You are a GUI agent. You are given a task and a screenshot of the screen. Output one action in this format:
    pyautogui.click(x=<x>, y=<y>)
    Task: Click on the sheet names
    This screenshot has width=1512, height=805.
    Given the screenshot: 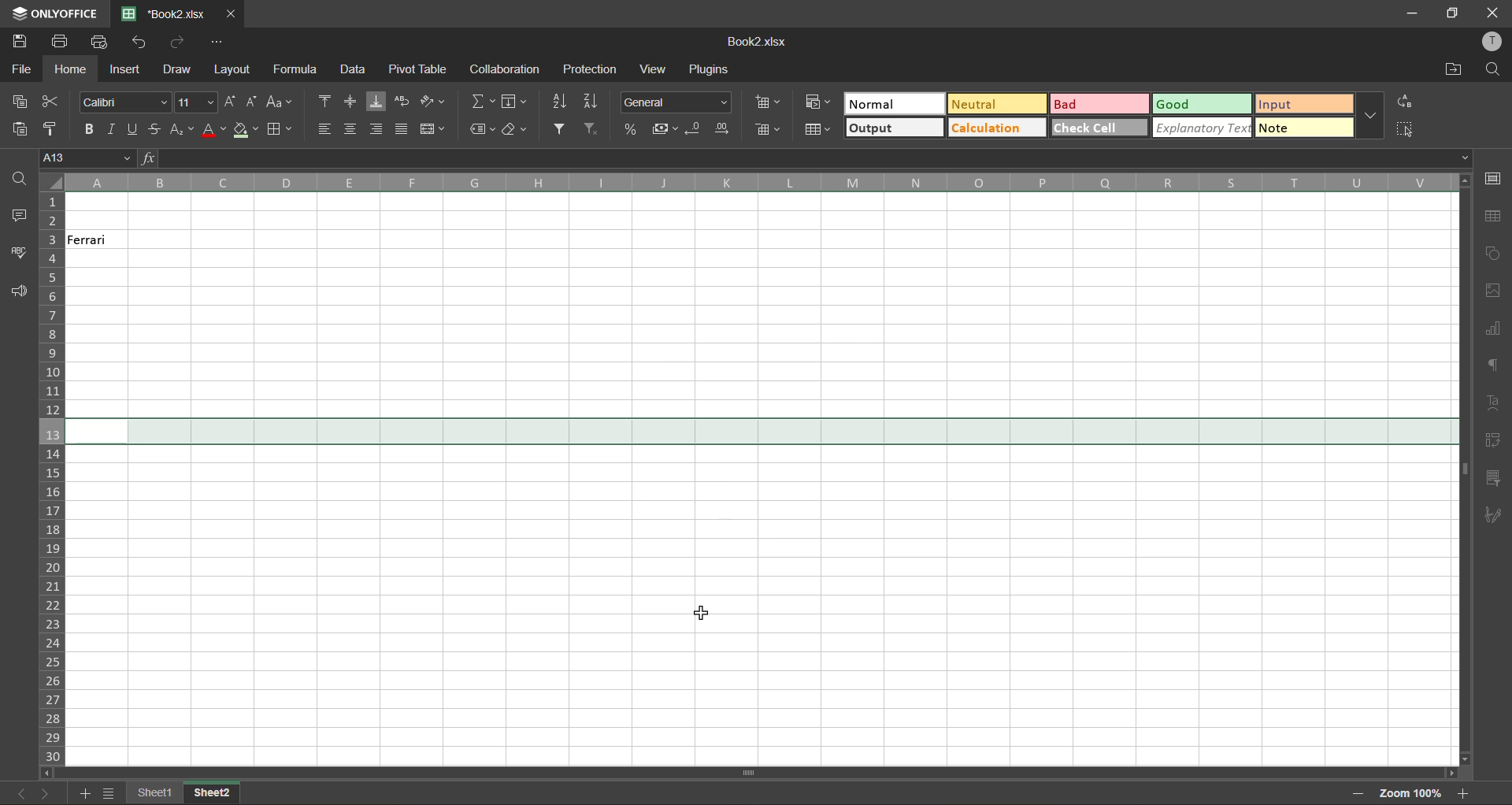 What is the action you would take?
    pyautogui.click(x=213, y=794)
    